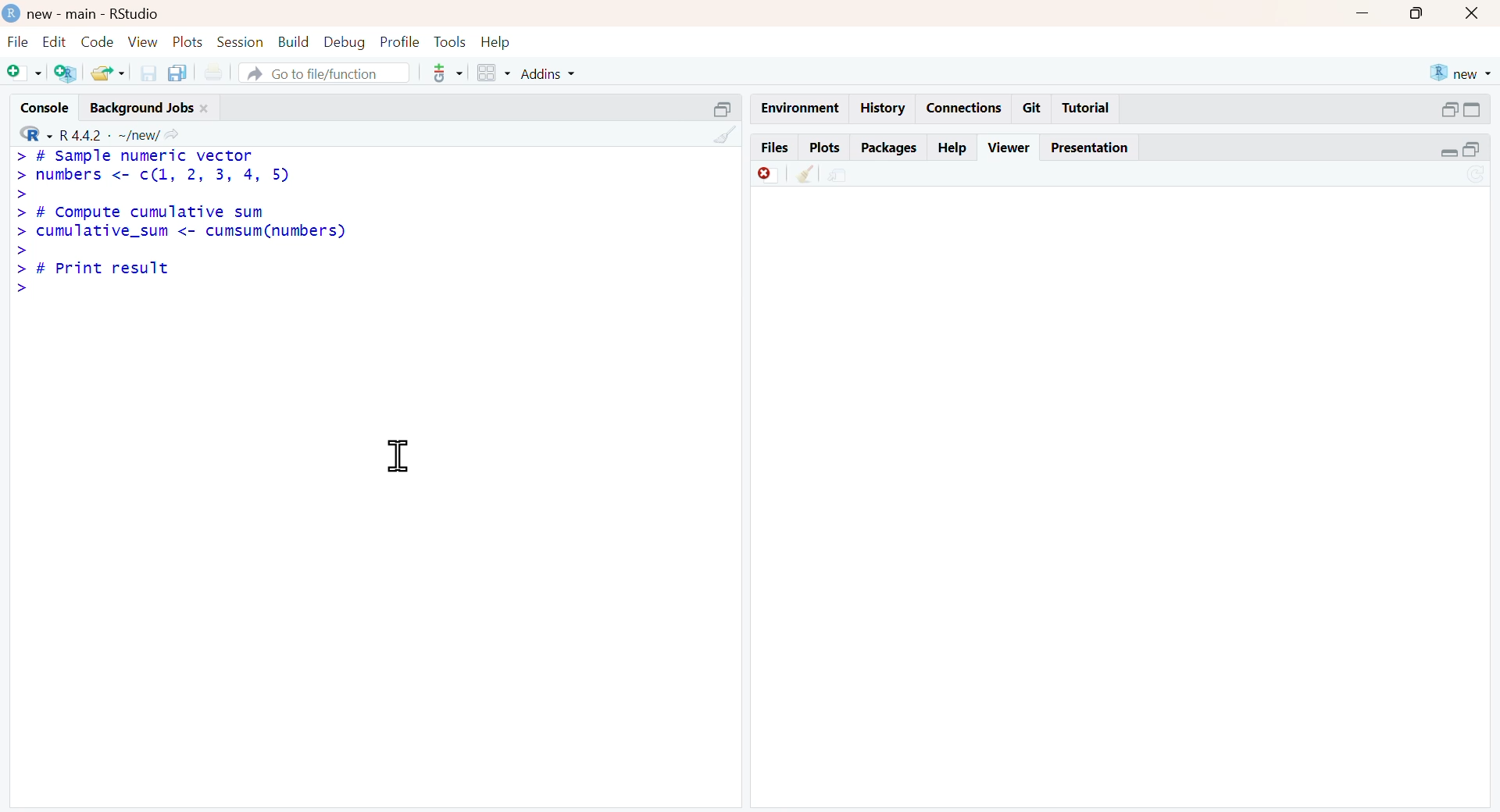 The width and height of the screenshot is (1500, 812). I want to click on add file as, so click(27, 73).